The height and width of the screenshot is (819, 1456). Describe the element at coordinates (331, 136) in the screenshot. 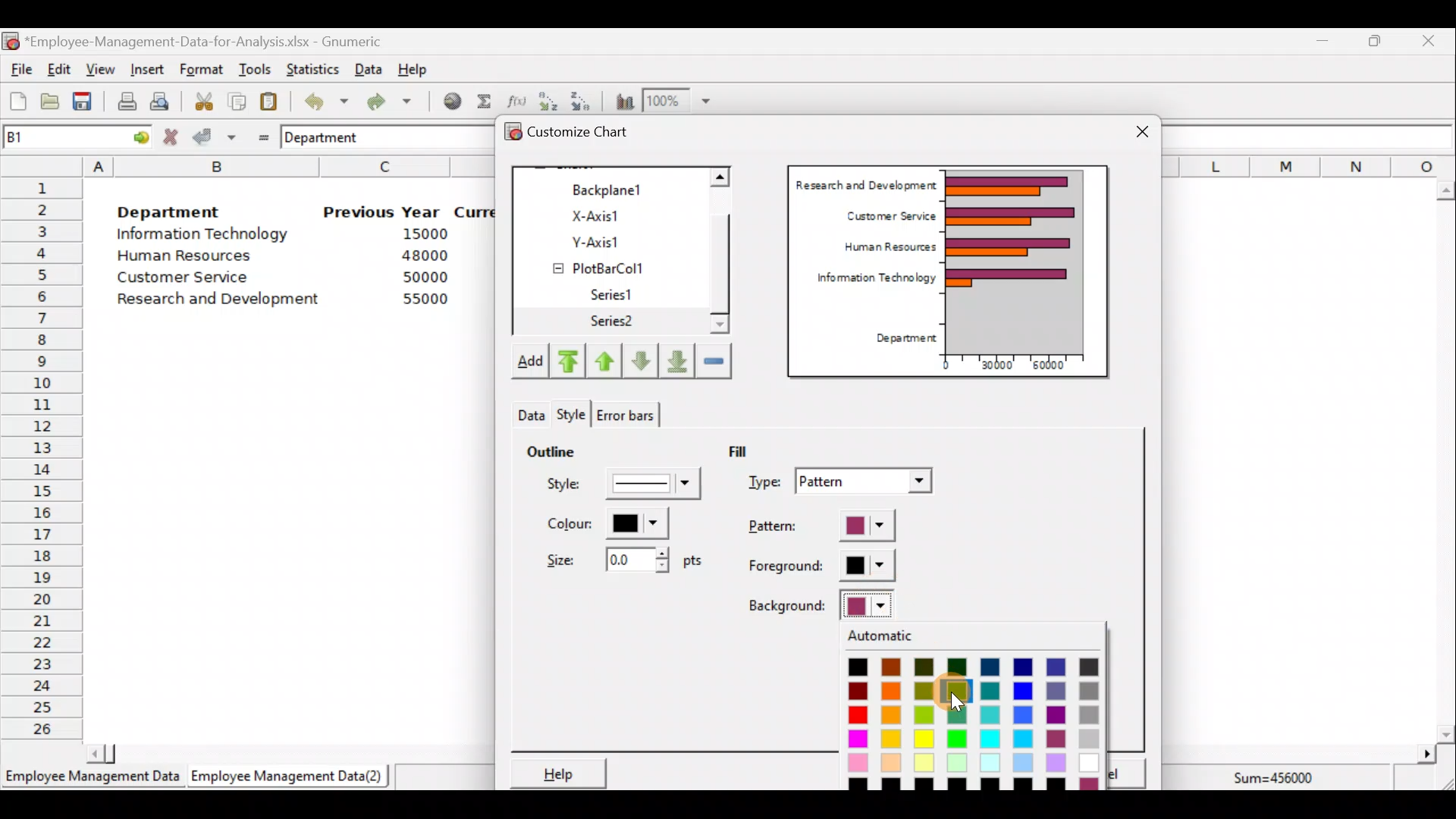

I see `Department` at that location.